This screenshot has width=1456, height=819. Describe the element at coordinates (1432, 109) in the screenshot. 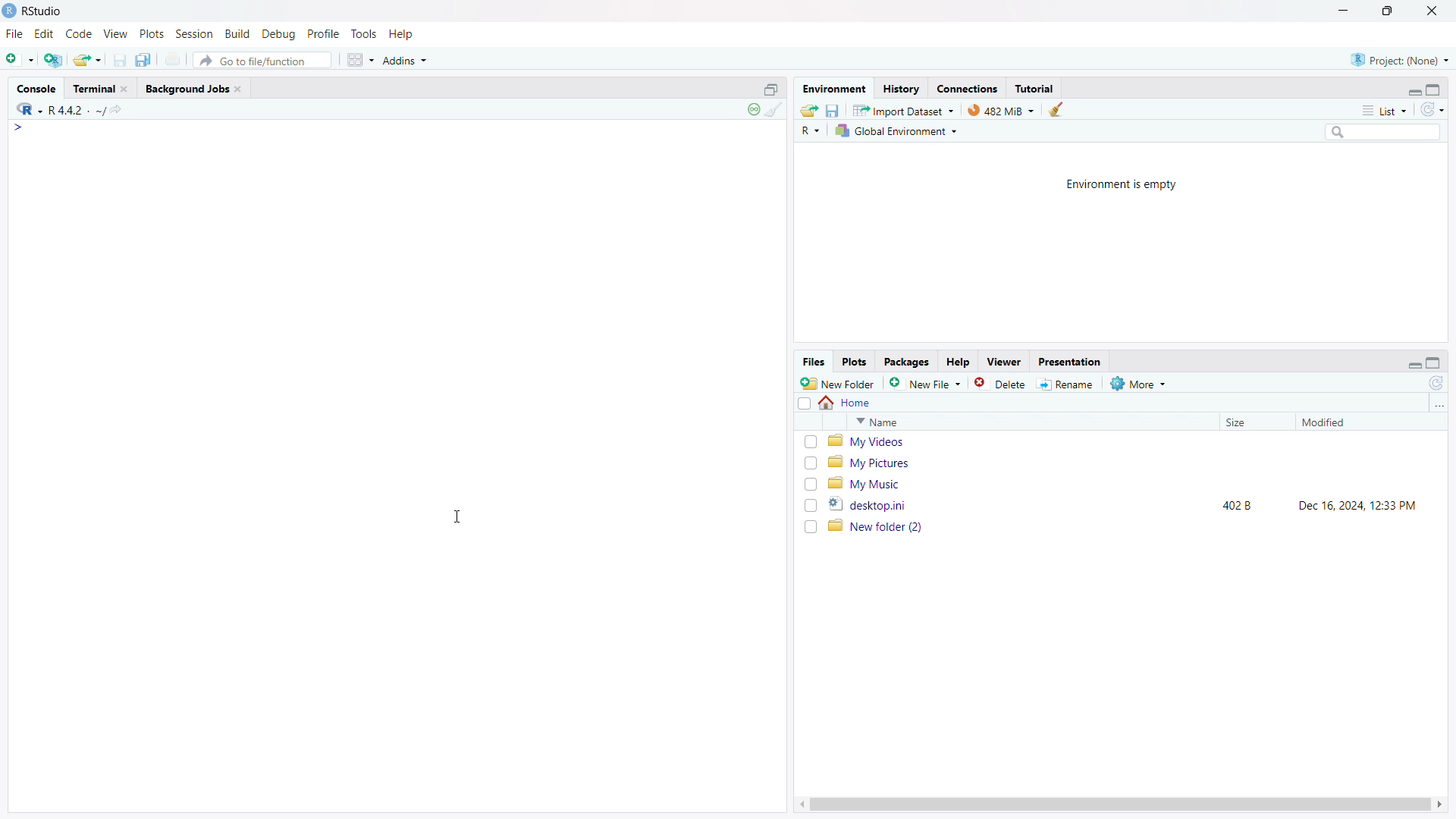

I see `refresh the list of objects` at that location.